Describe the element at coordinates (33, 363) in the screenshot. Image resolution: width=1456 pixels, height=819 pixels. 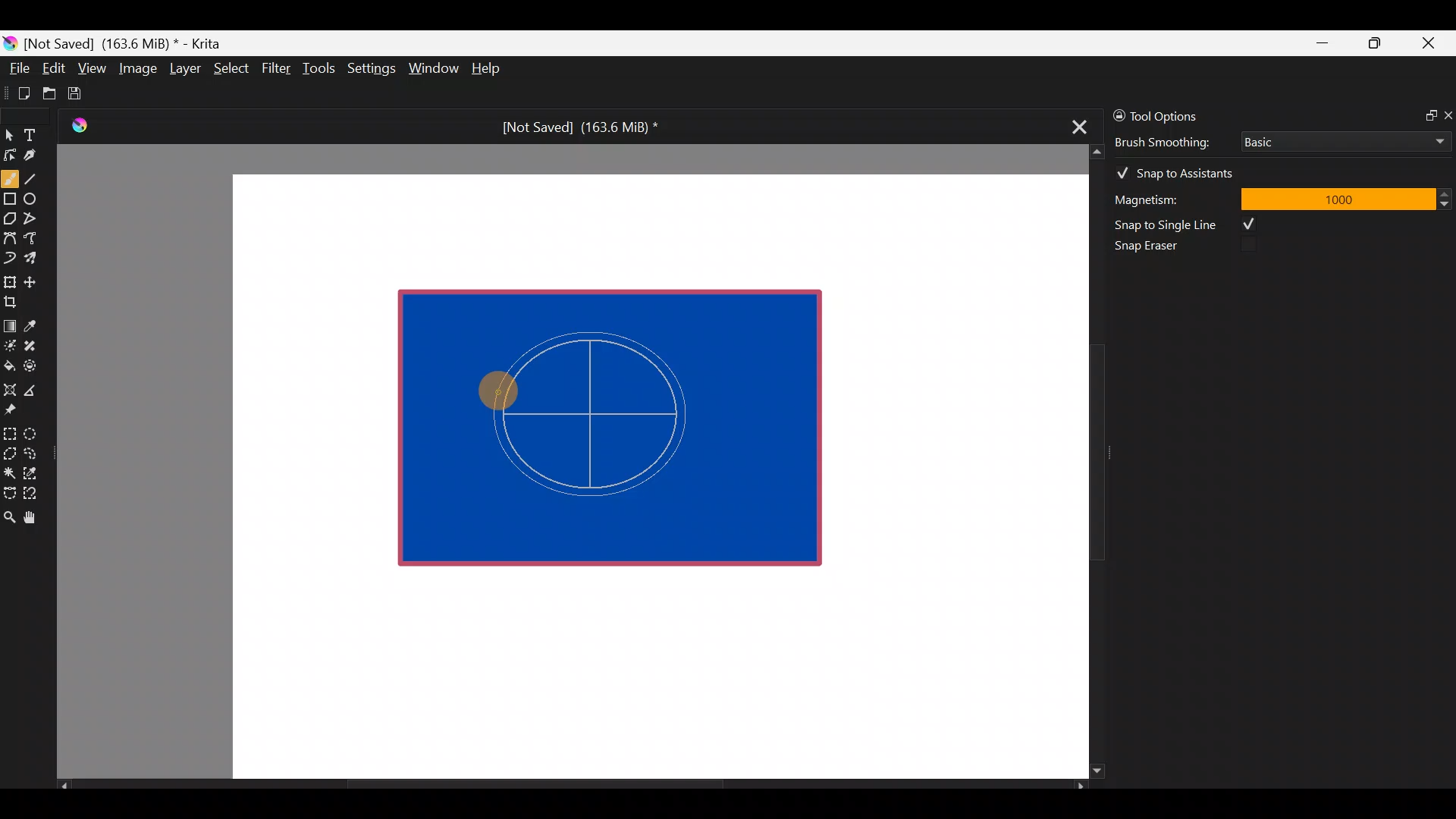
I see `Enclose & fill tool` at that location.